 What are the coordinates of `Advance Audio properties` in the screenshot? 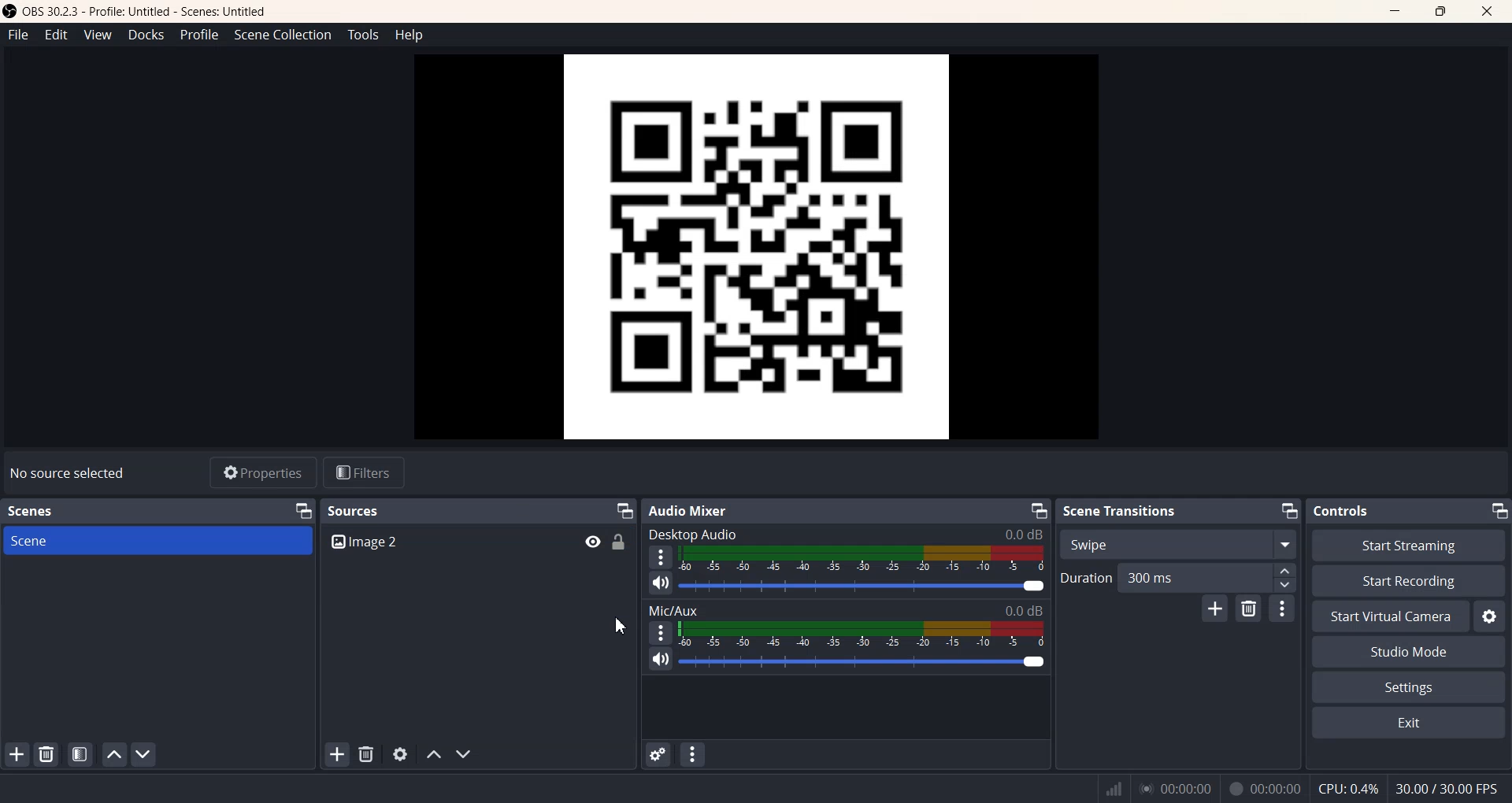 It's located at (658, 754).